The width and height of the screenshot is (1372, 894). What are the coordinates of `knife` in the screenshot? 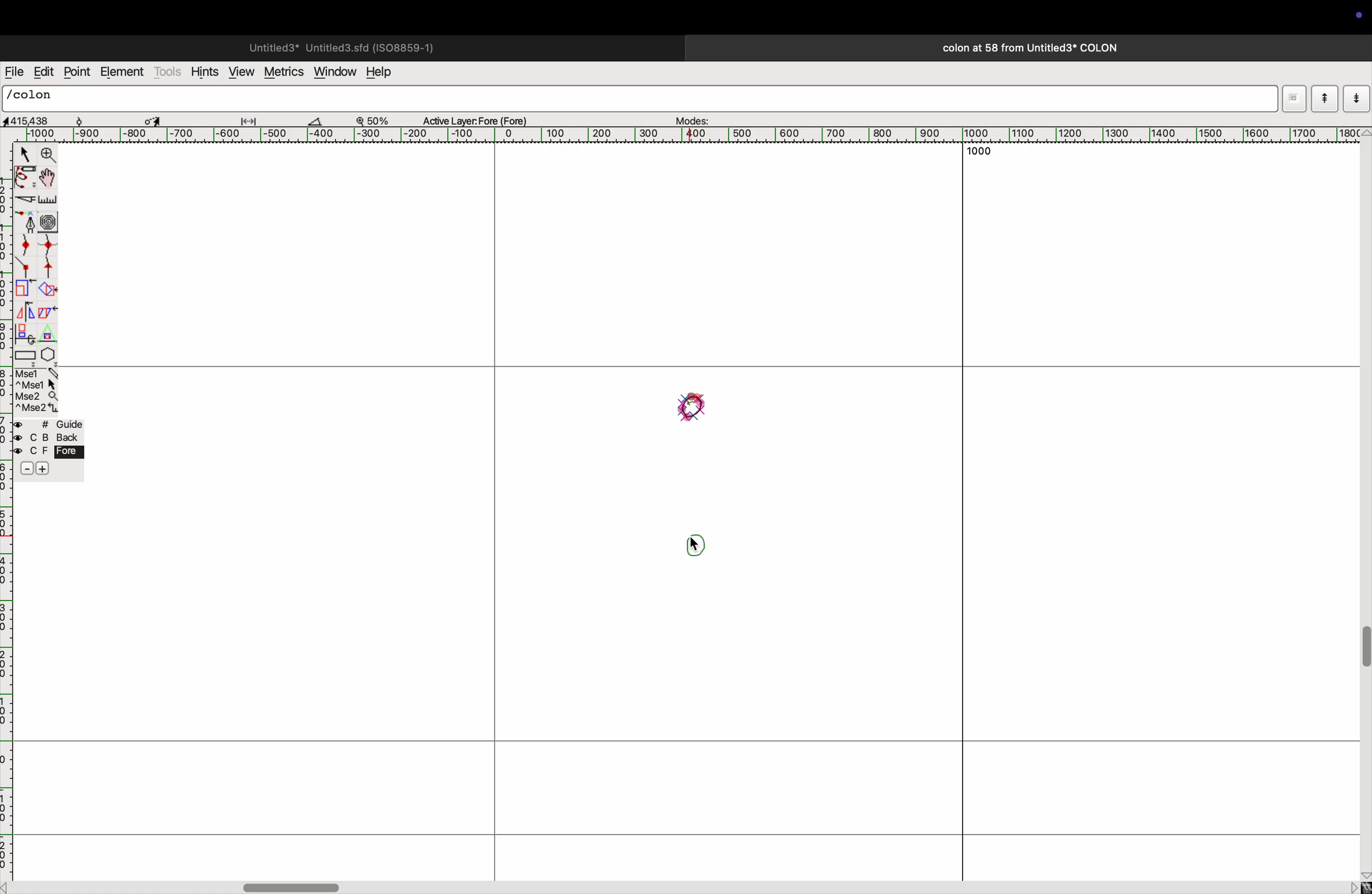 It's located at (24, 201).